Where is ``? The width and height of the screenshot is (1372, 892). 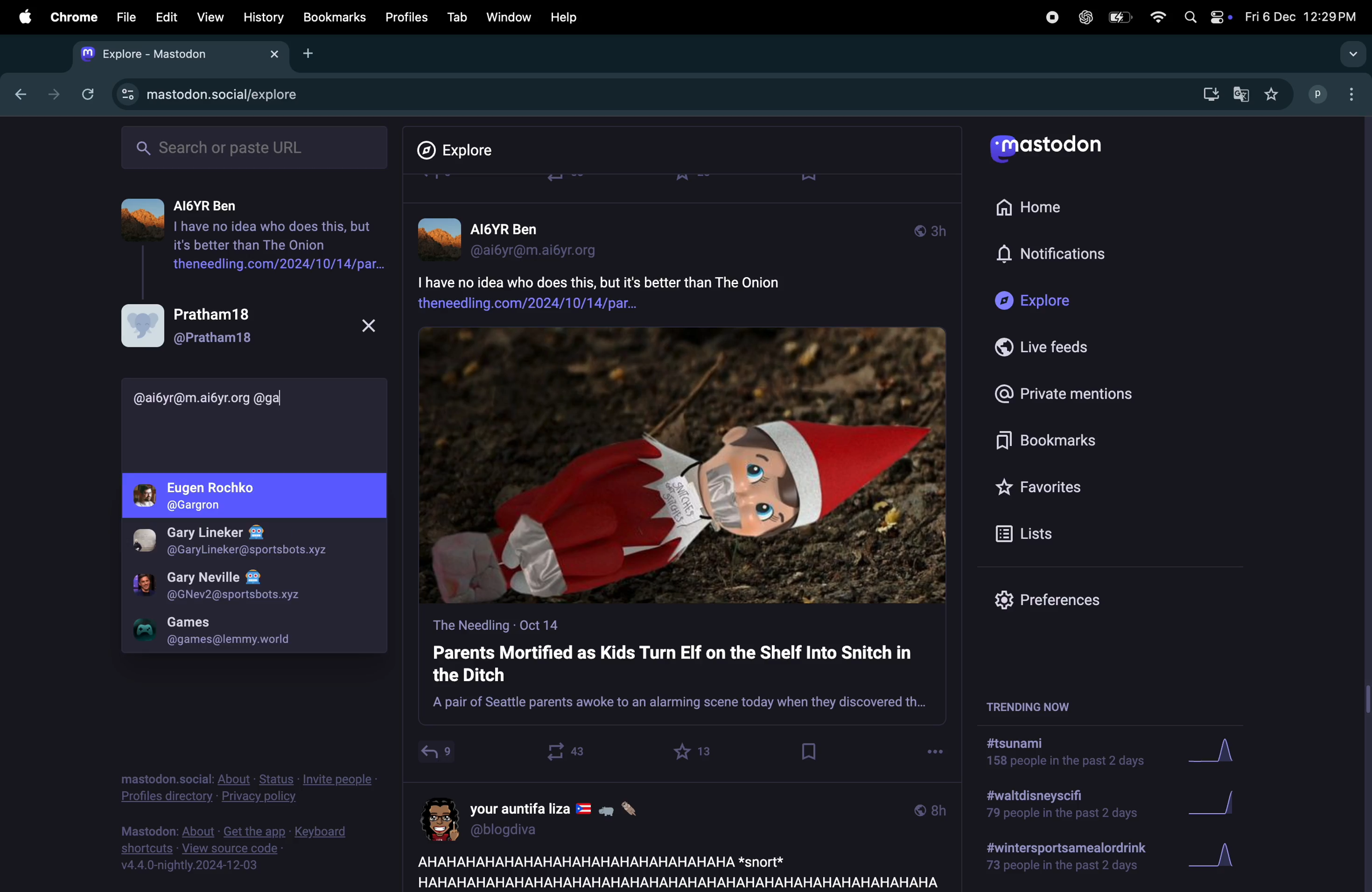  is located at coordinates (1363, 504).